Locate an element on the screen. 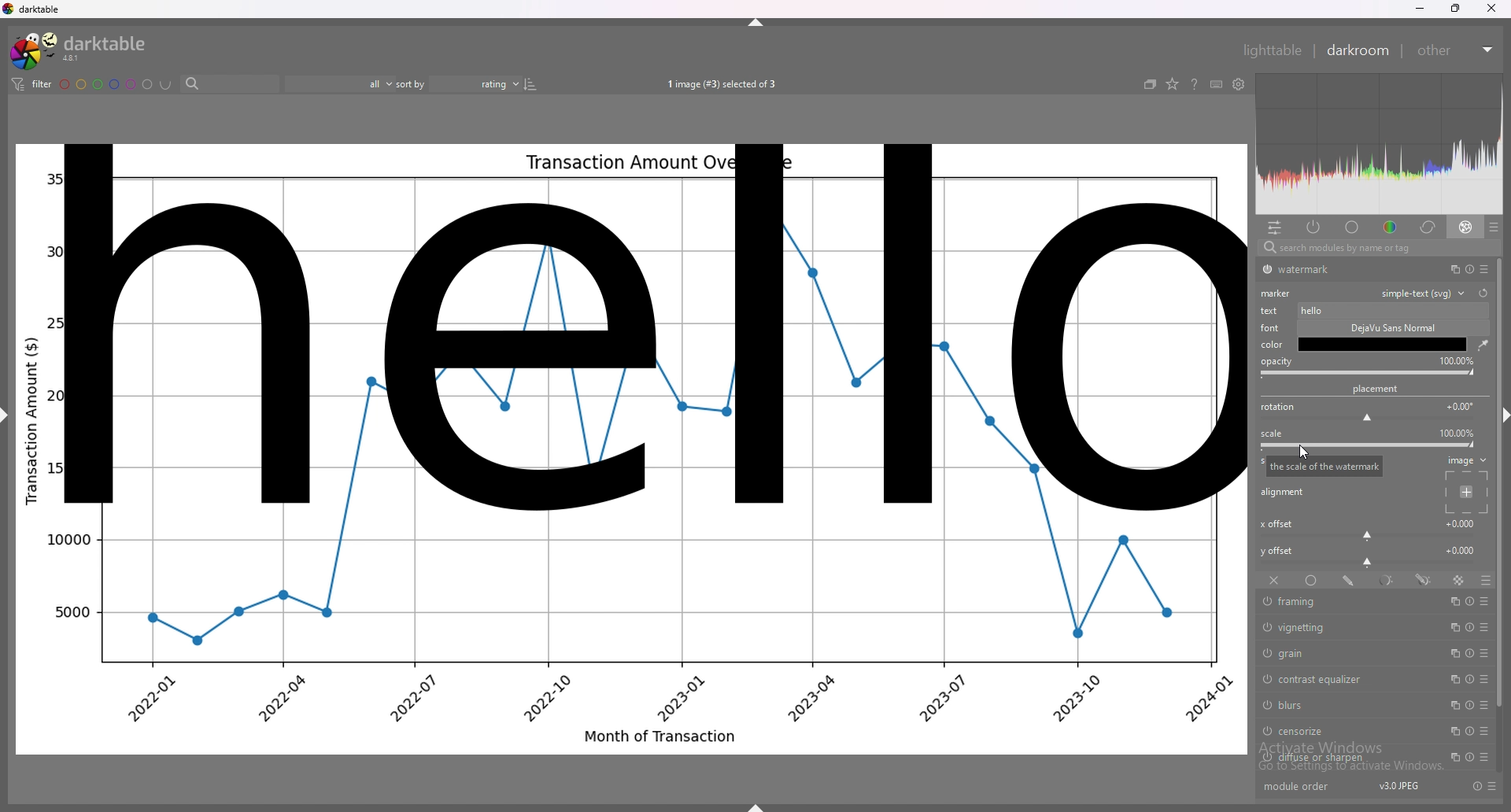 This screenshot has height=812, width=1511. presets is located at coordinates (1494, 227).